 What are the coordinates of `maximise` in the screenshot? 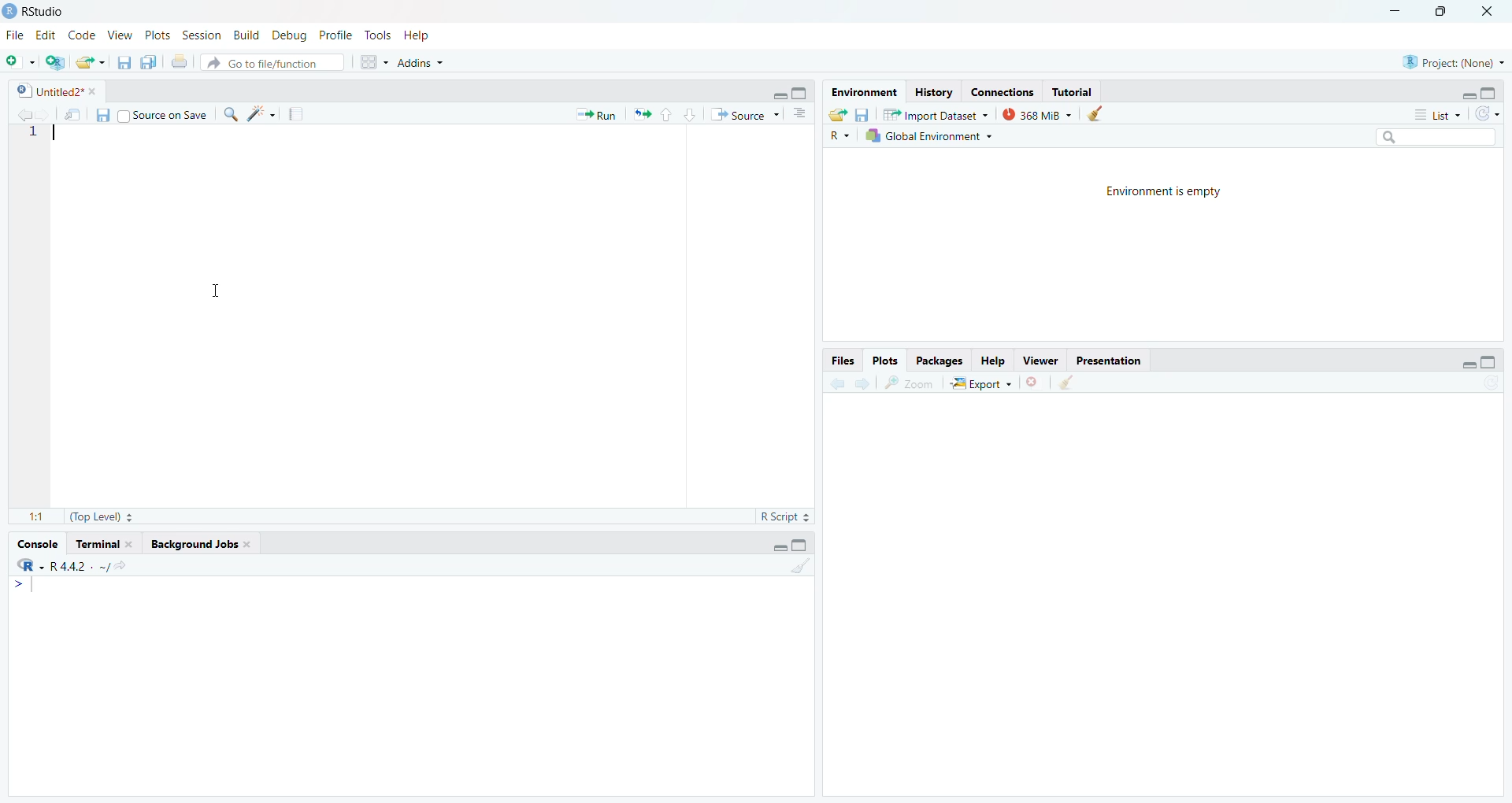 It's located at (1443, 12).